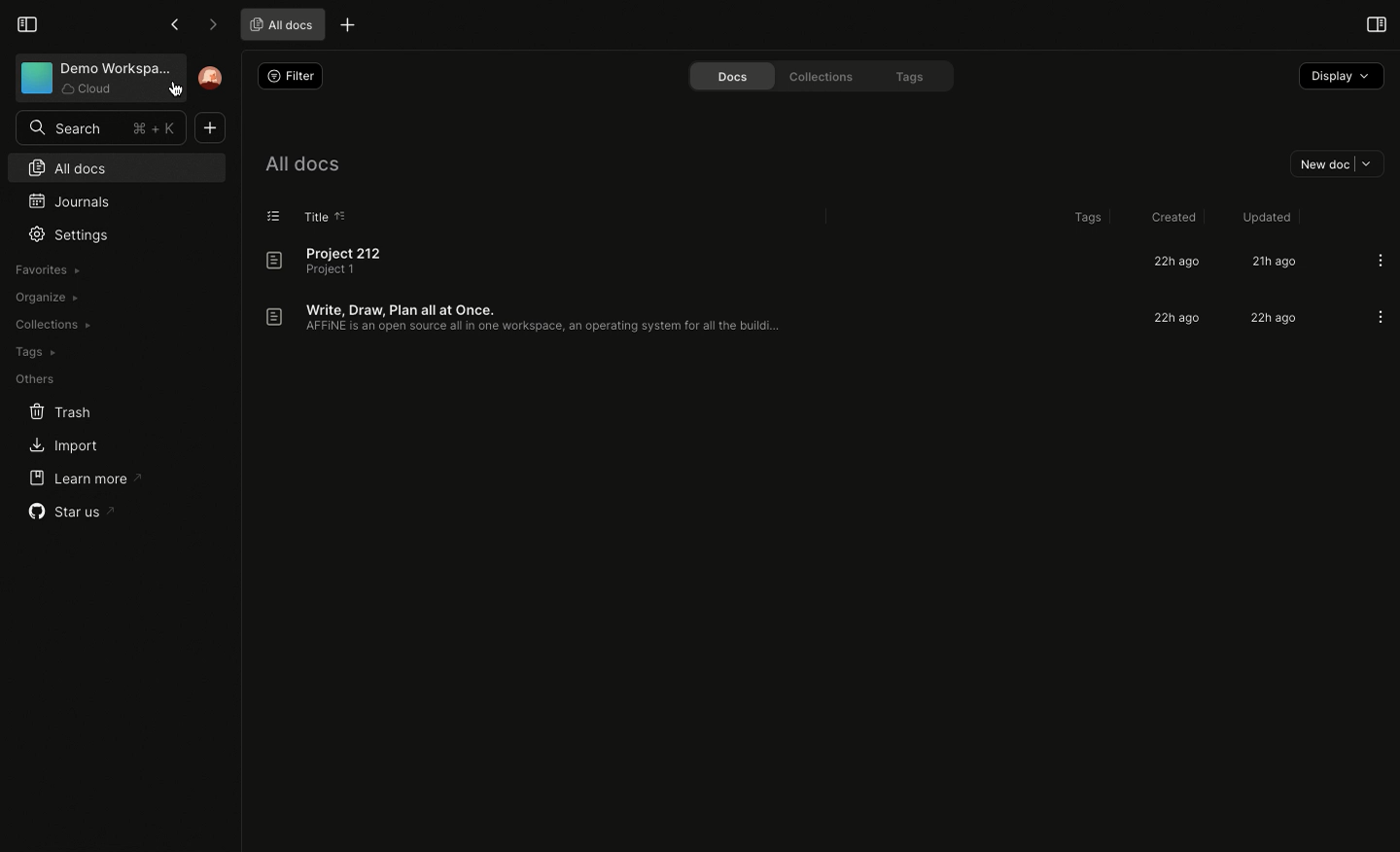  I want to click on 21h ago, so click(1273, 263).